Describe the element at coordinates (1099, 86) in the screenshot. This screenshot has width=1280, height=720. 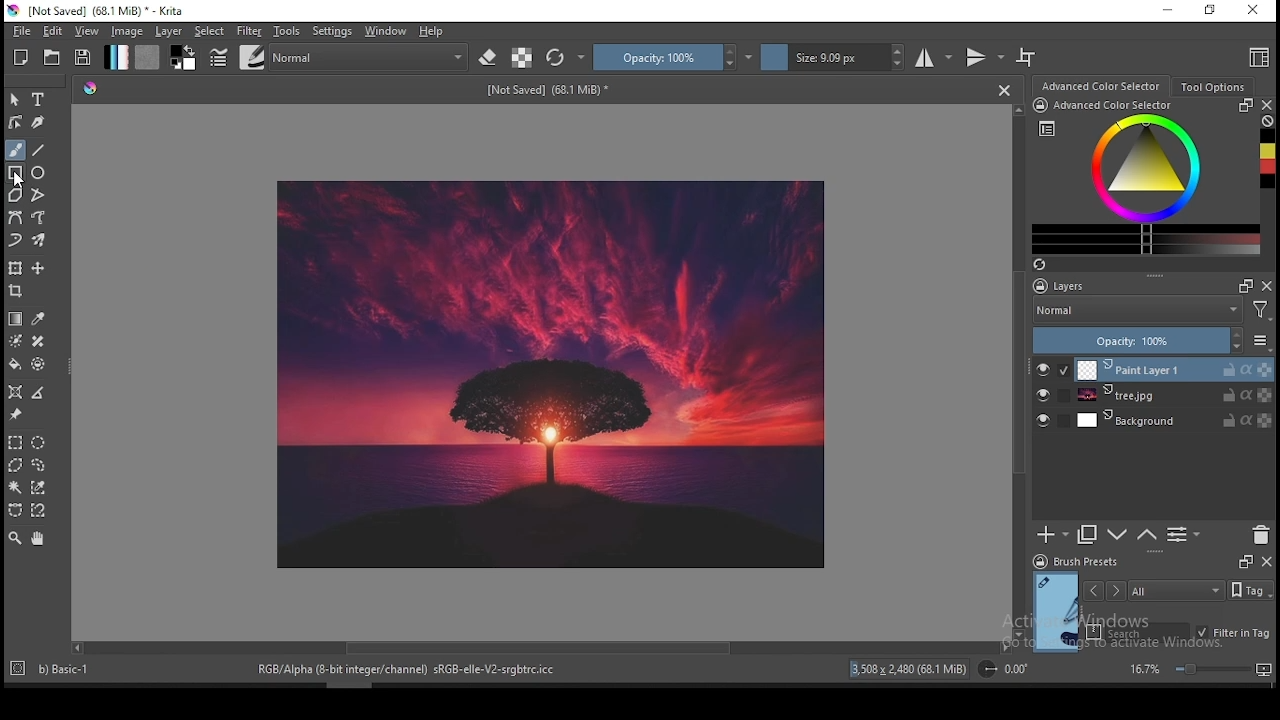
I see `advance color selector` at that location.